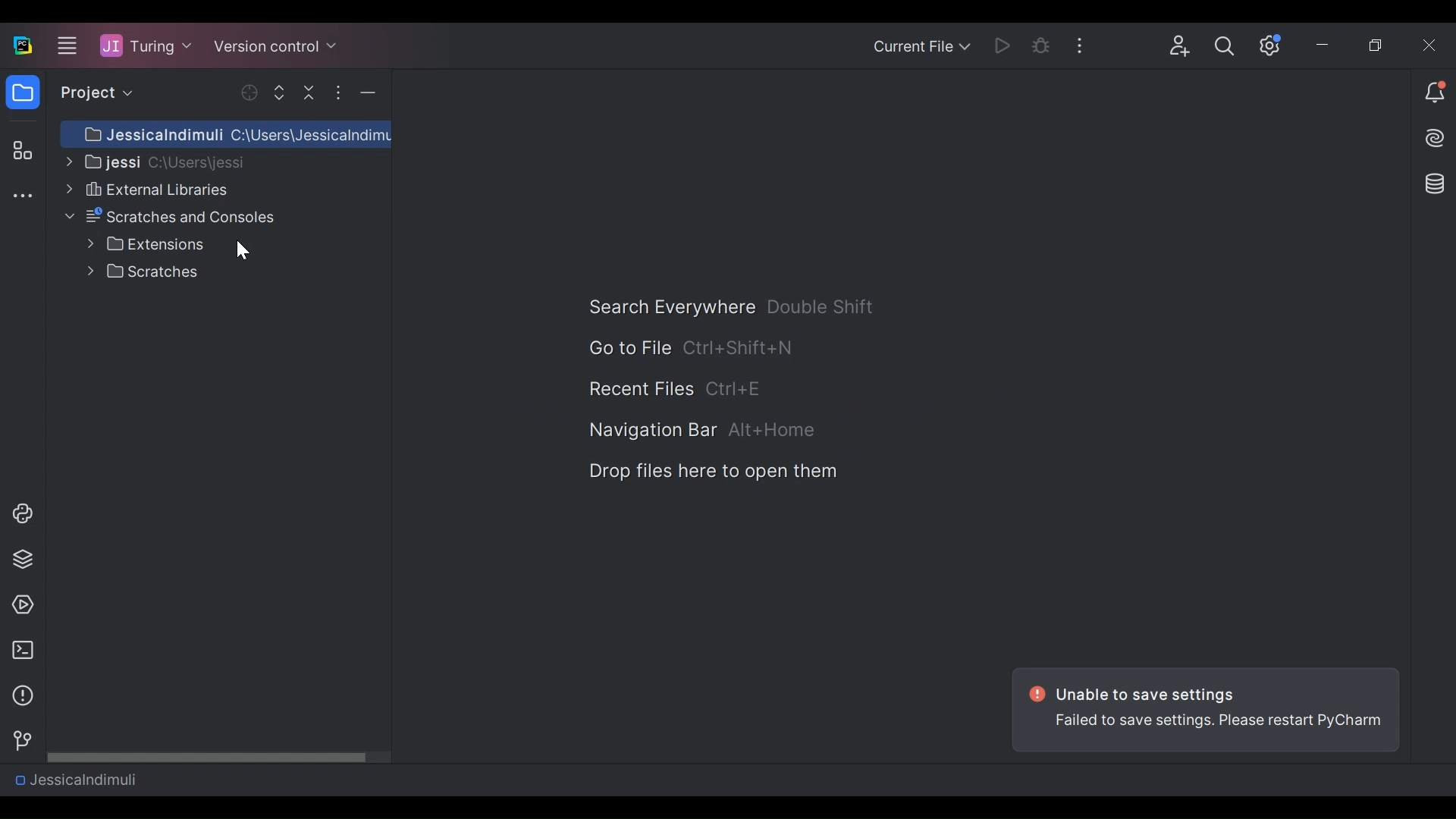 The width and height of the screenshot is (1456, 819). What do you see at coordinates (18, 741) in the screenshot?
I see `version control` at bounding box center [18, 741].